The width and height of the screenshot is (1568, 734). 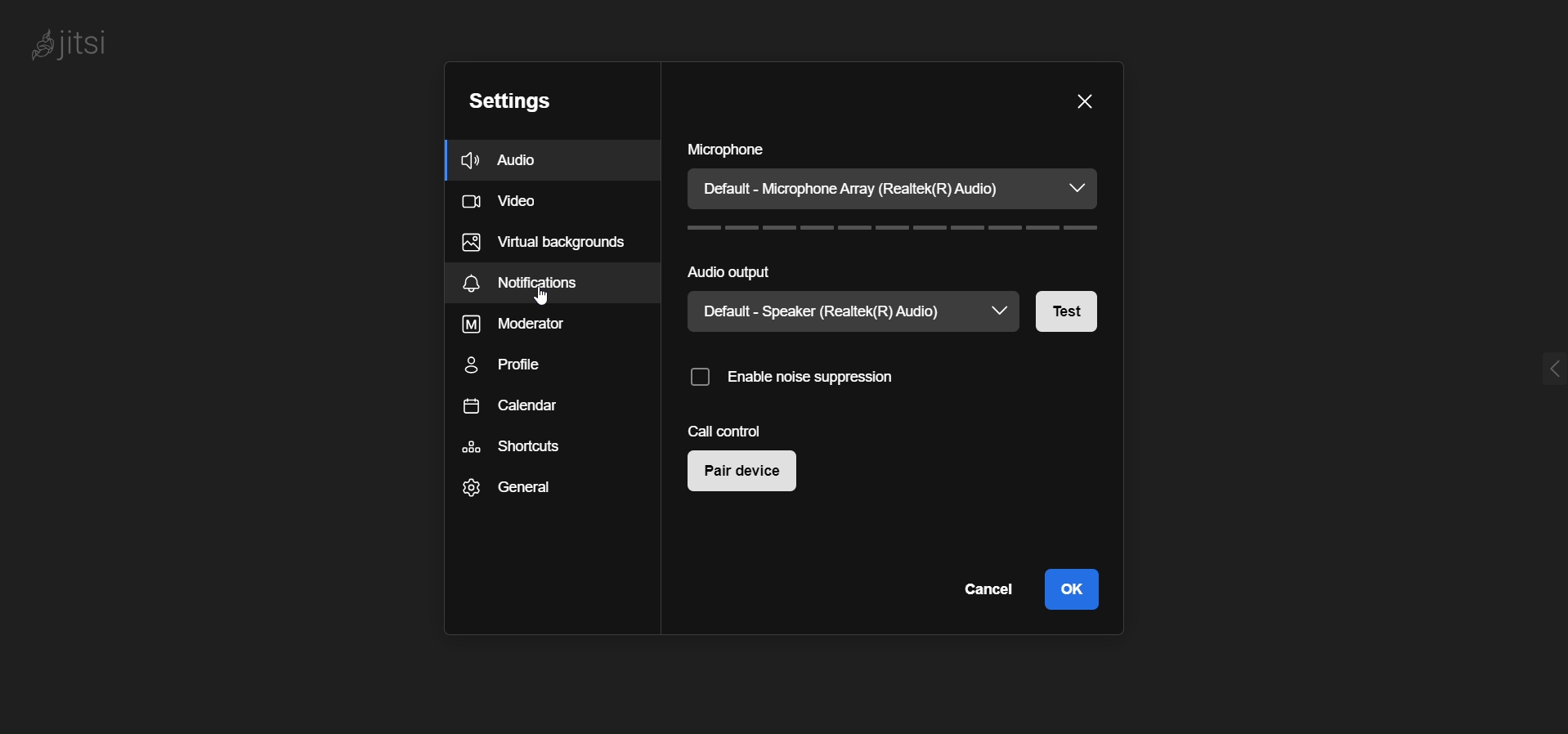 I want to click on video, so click(x=508, y=201).